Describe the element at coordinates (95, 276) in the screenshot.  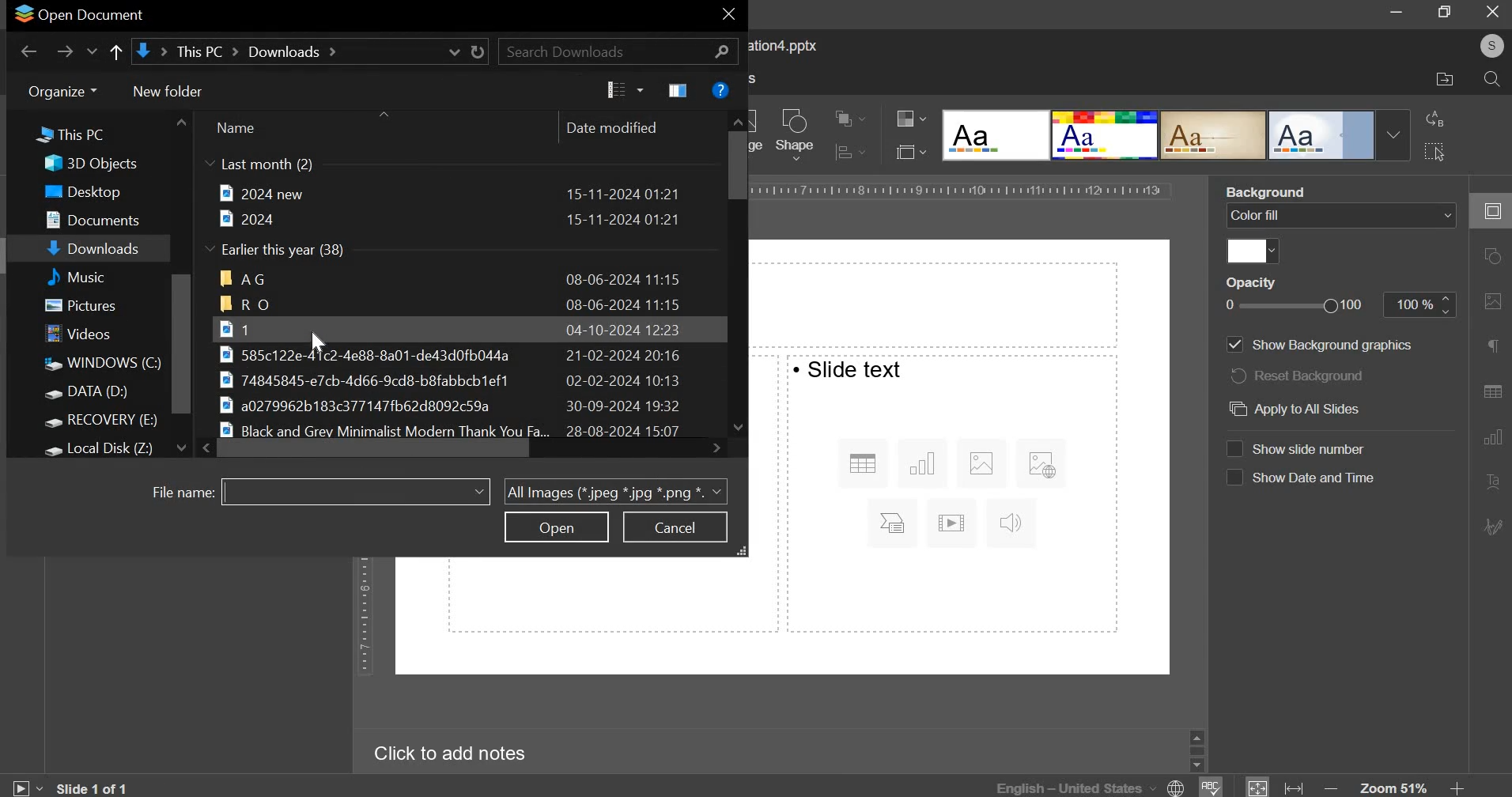
I see `music` at that location.